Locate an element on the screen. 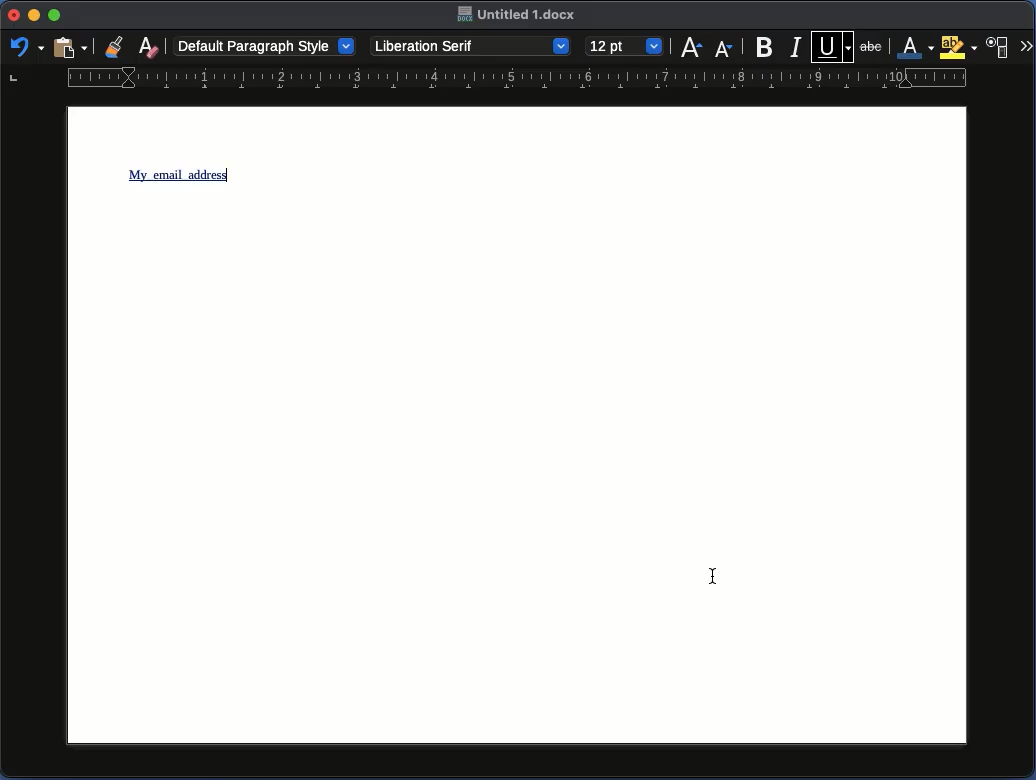  Untitled. 1 docx is located at coordinates (518, 15).